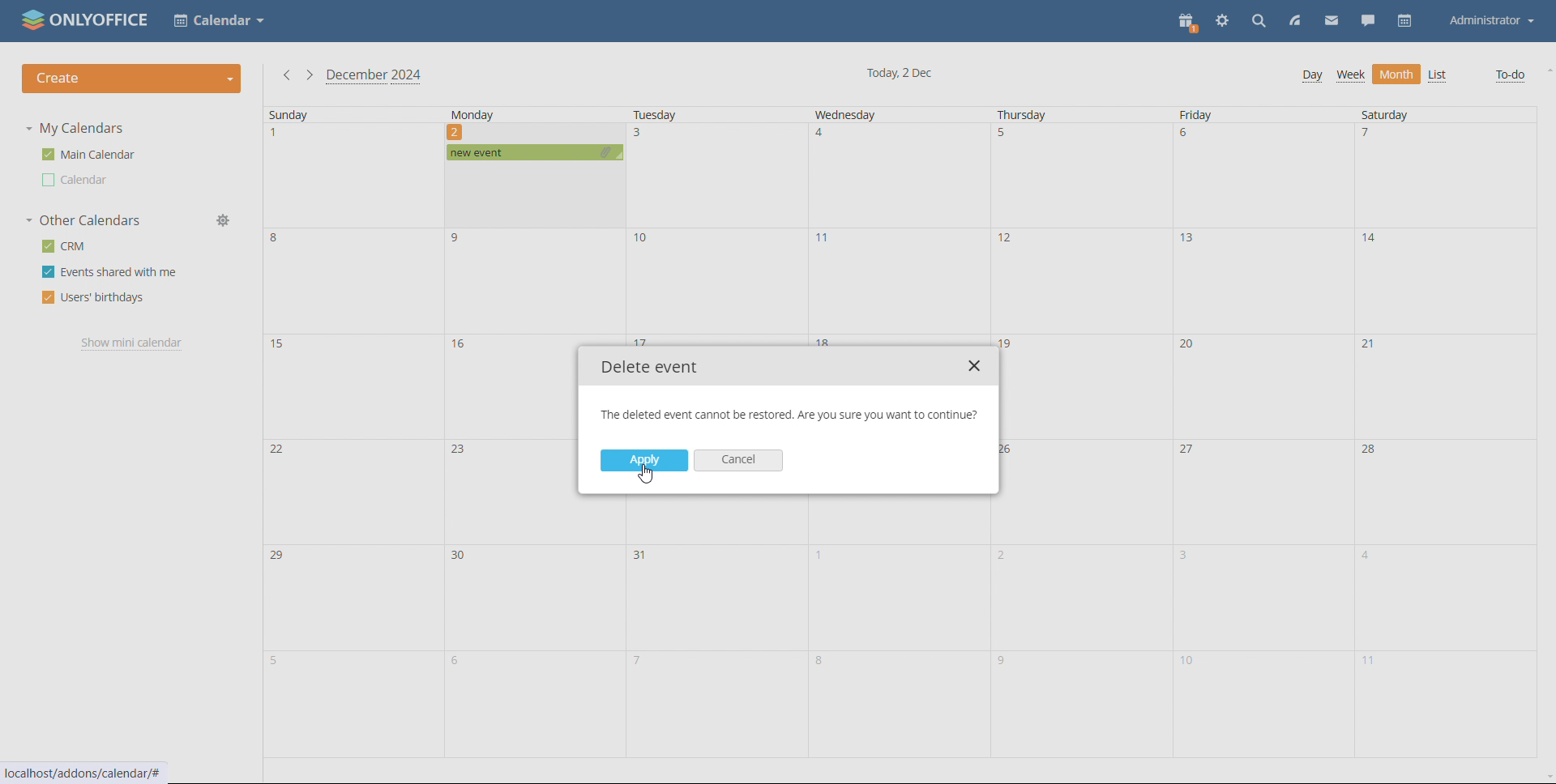  Describe the element at coordinates (824, 339) in the screenshot. I see `18` at that location.